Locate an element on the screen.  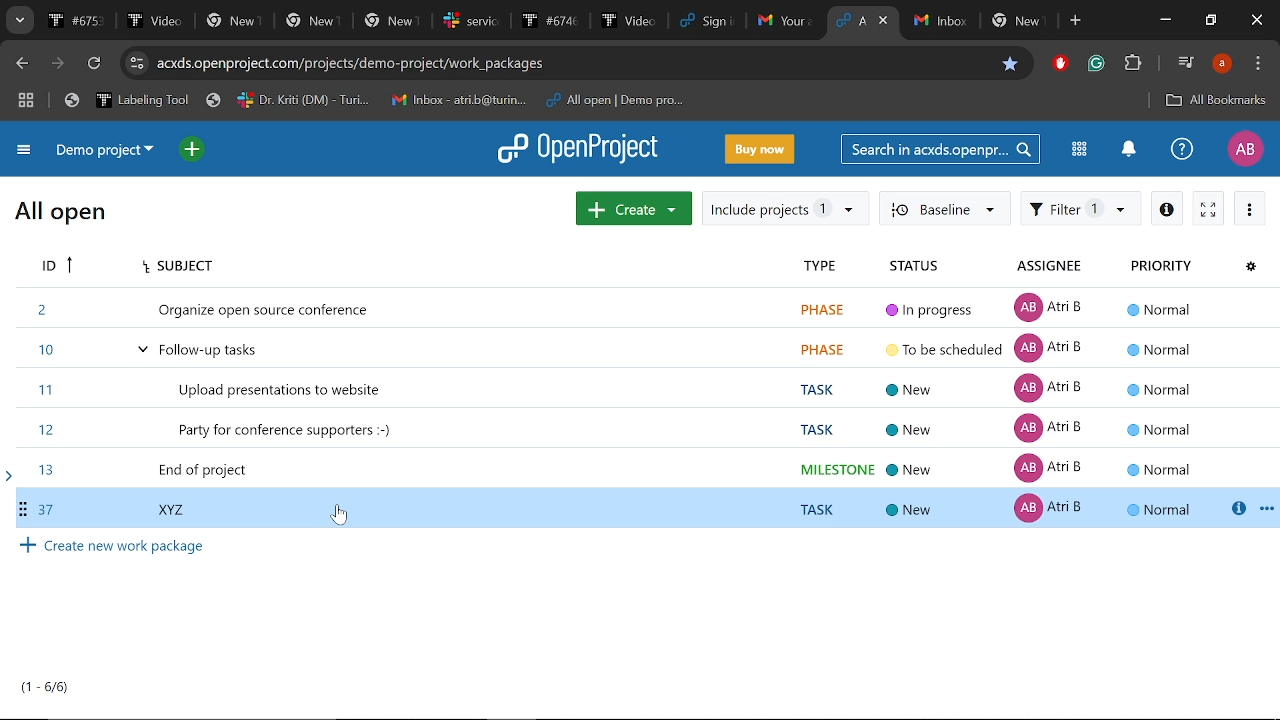
Tab group is located at coordinates (27, 102).